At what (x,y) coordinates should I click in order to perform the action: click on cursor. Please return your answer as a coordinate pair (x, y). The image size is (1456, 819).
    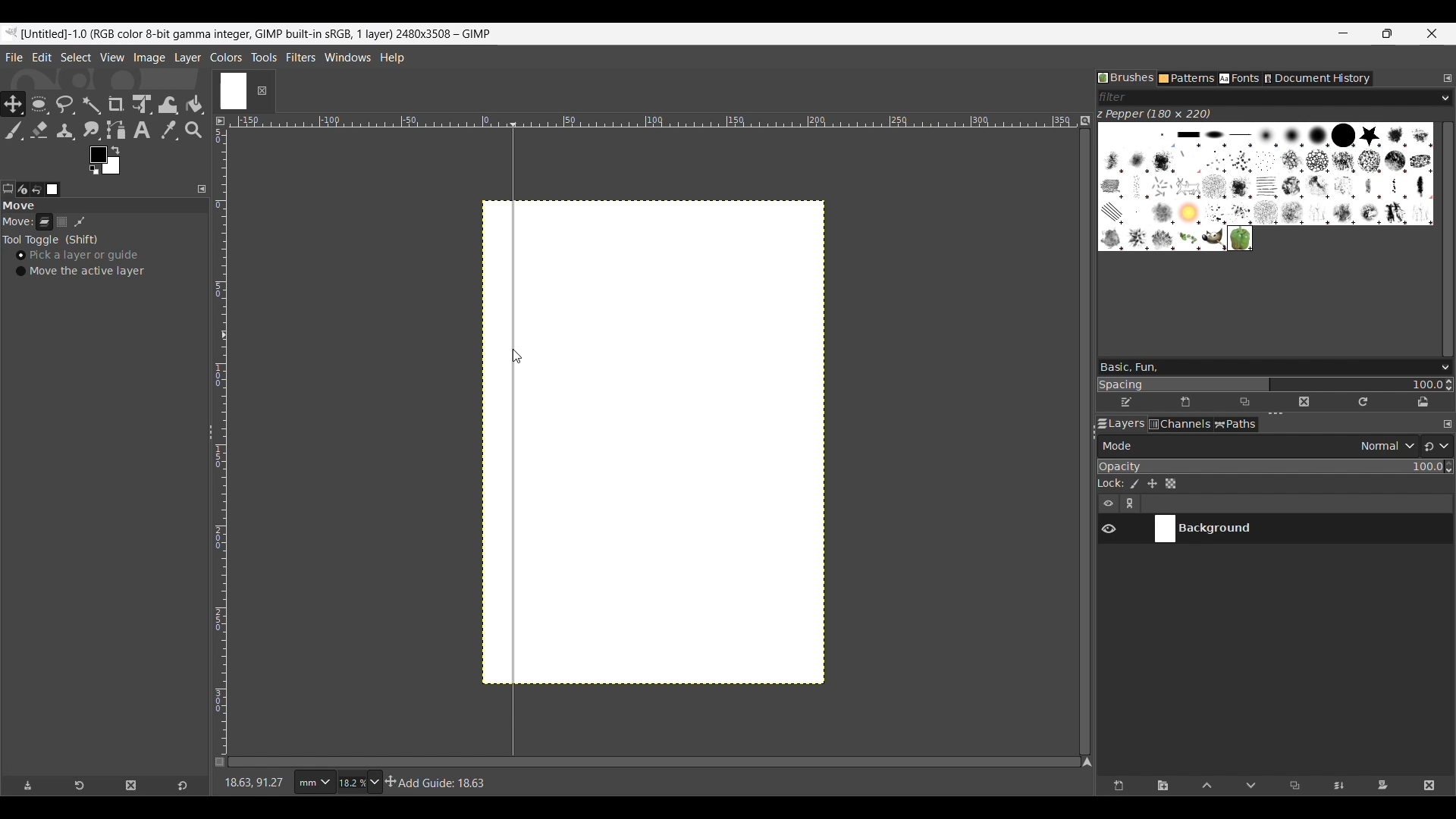
    Looking at the image, I should click on (514, 352).